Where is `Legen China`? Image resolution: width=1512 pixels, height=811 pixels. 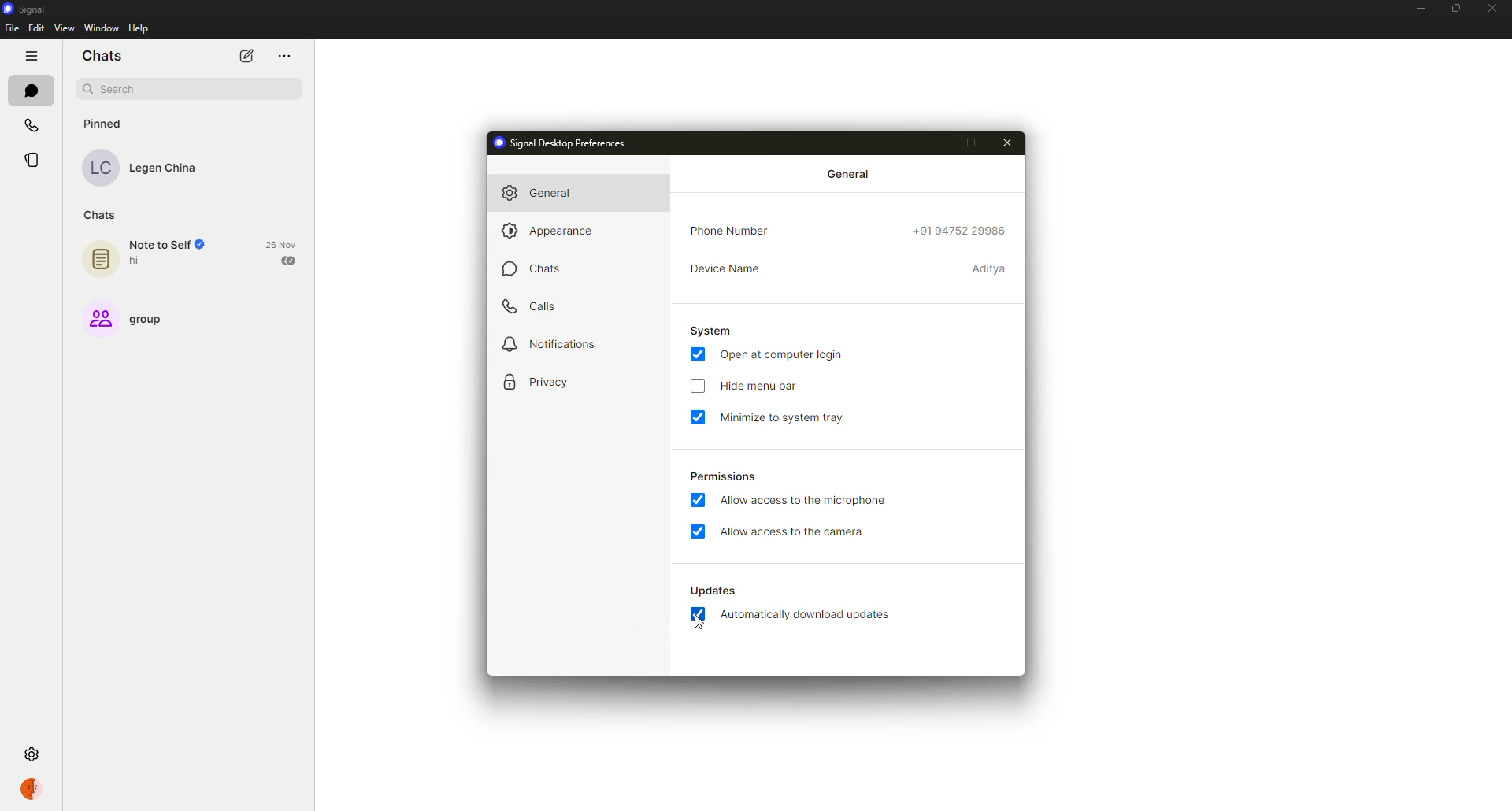
Legen China is located at coordinates (143, 168).